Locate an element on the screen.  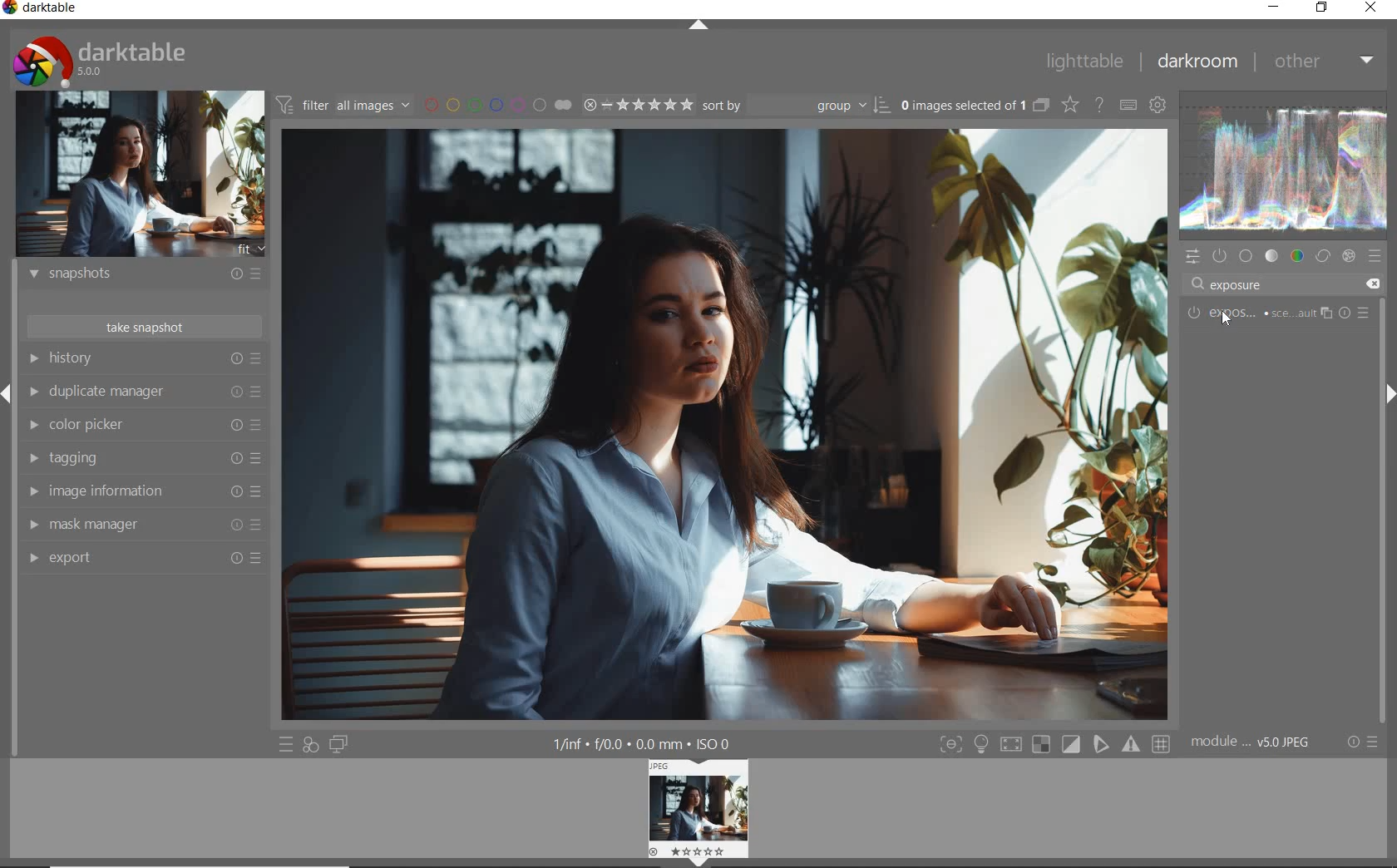
correct is located at coordinates (1321, 256).